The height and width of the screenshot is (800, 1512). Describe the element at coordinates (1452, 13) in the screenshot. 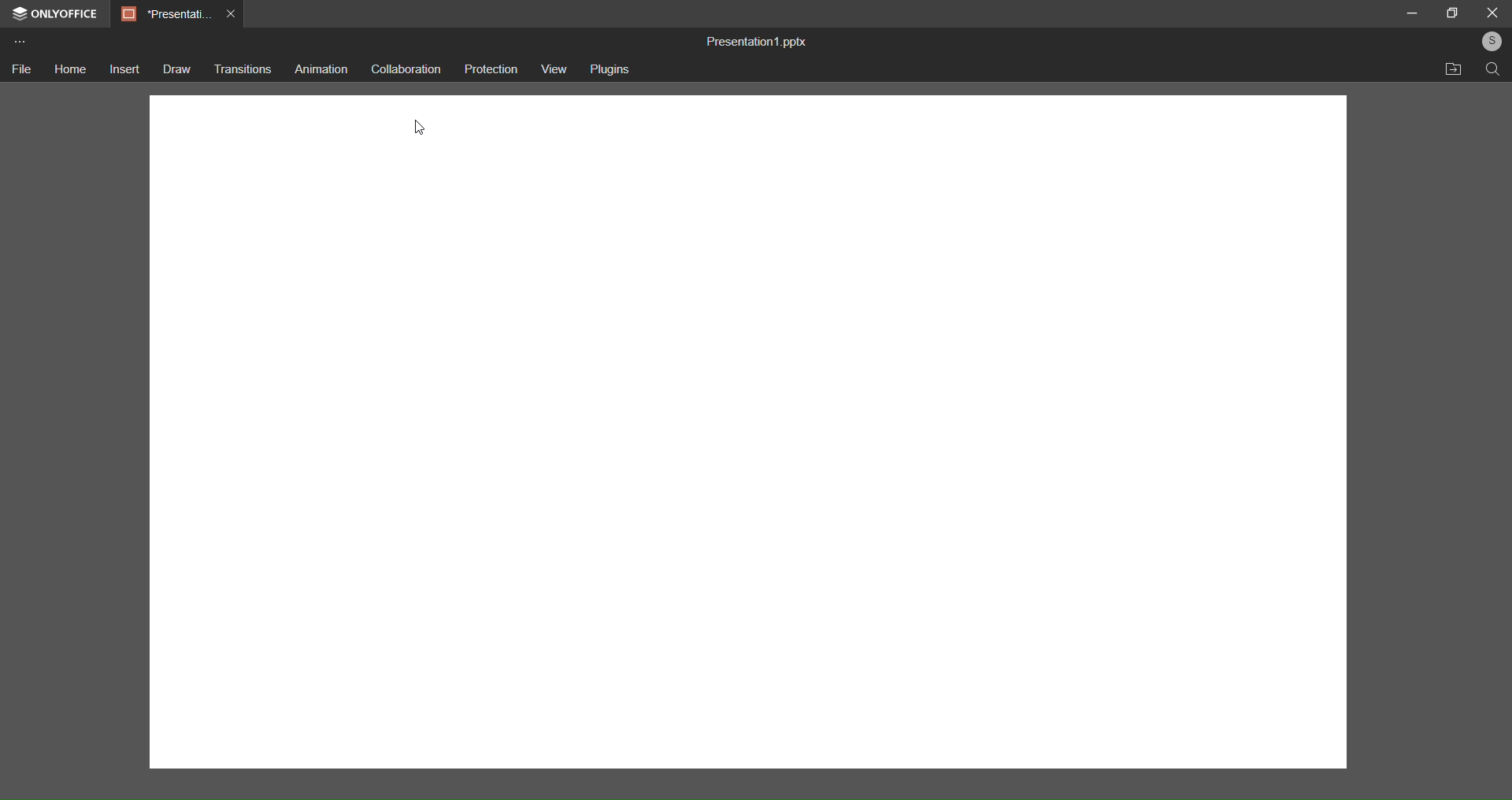

I see `maximize` at that location.